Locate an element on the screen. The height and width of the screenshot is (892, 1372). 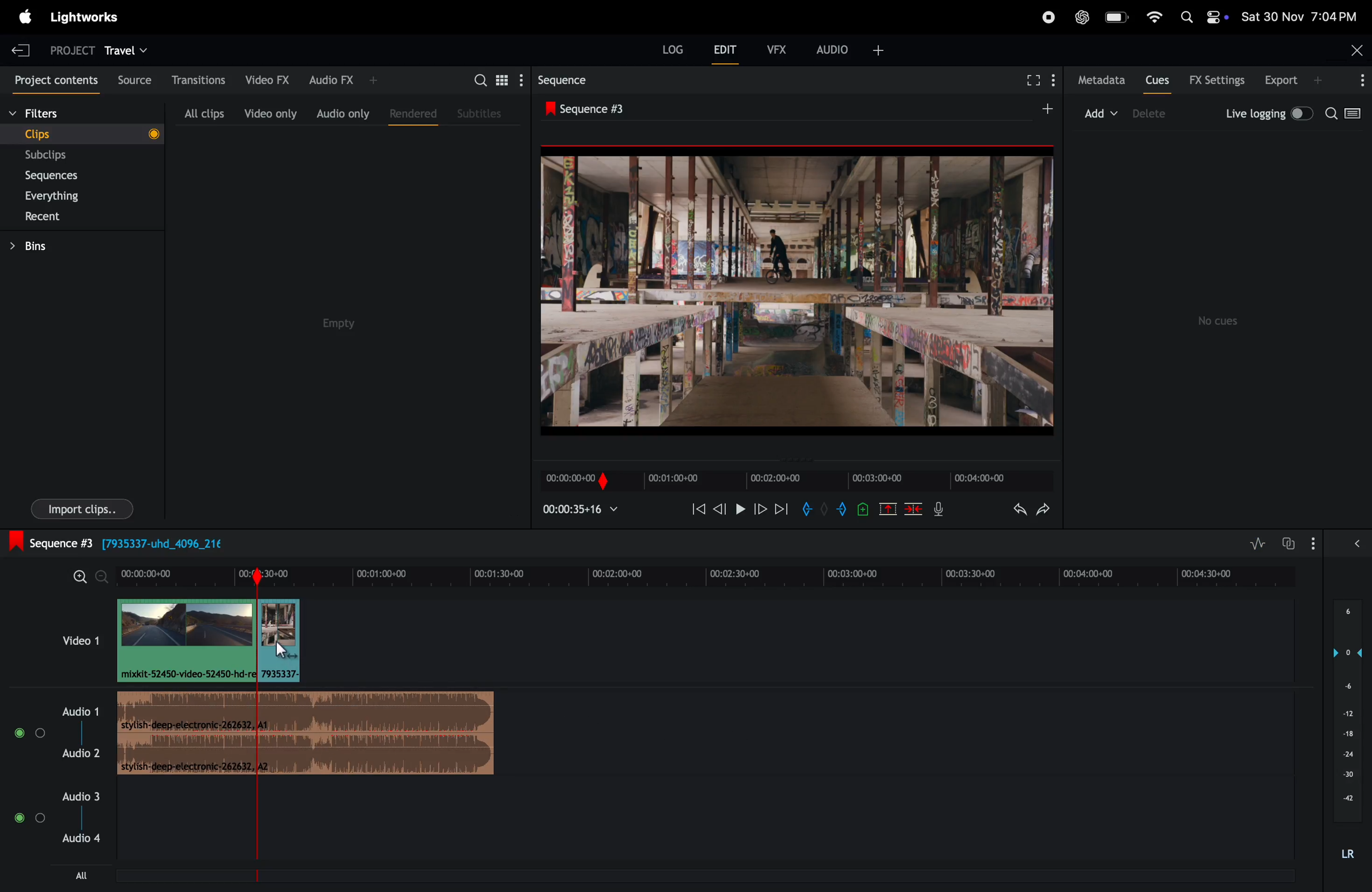
source is located at coordinates (130, 79).